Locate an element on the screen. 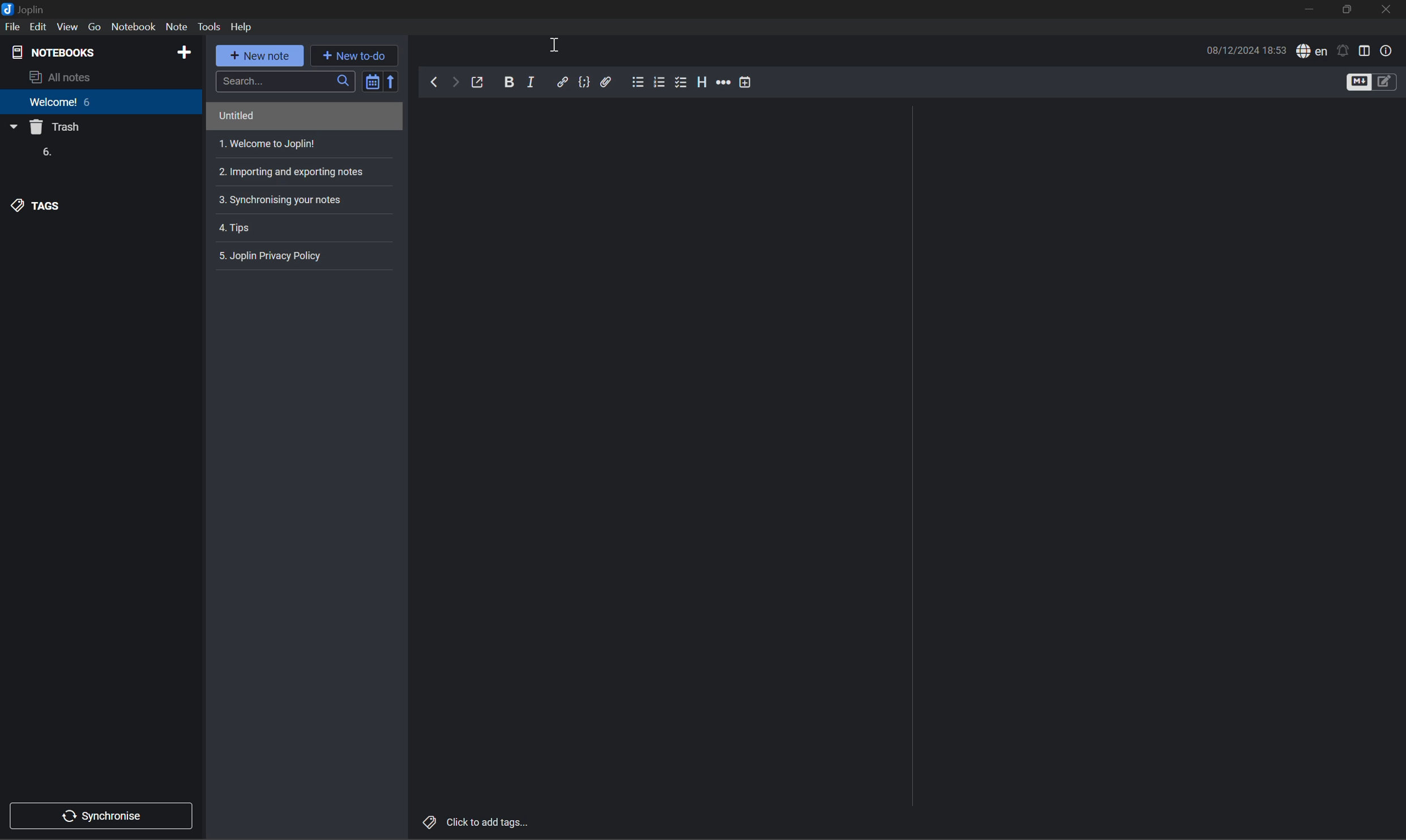 The height and width of the screenshot is (840, 1406). 08/12/2024 18:53 is located at coordinates (1246, 50).